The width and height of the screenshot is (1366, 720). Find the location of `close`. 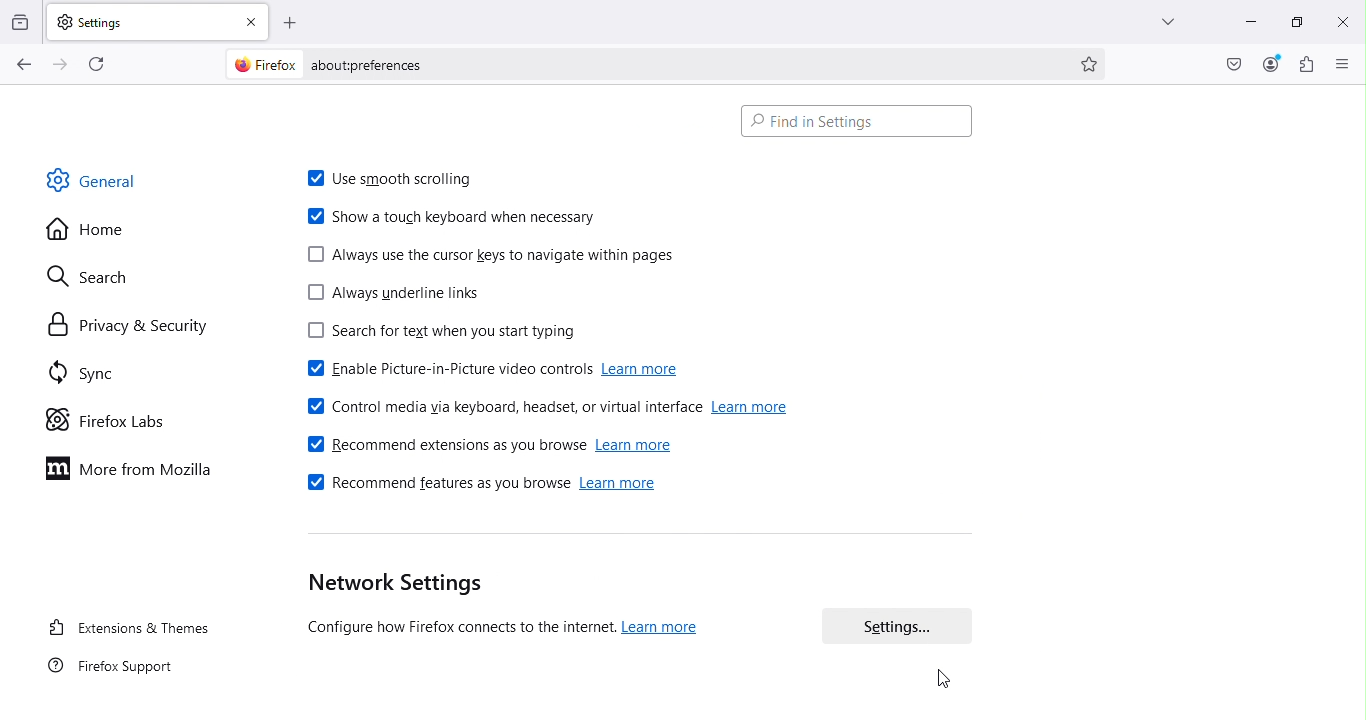

close is located at coordinates (1339, 20).